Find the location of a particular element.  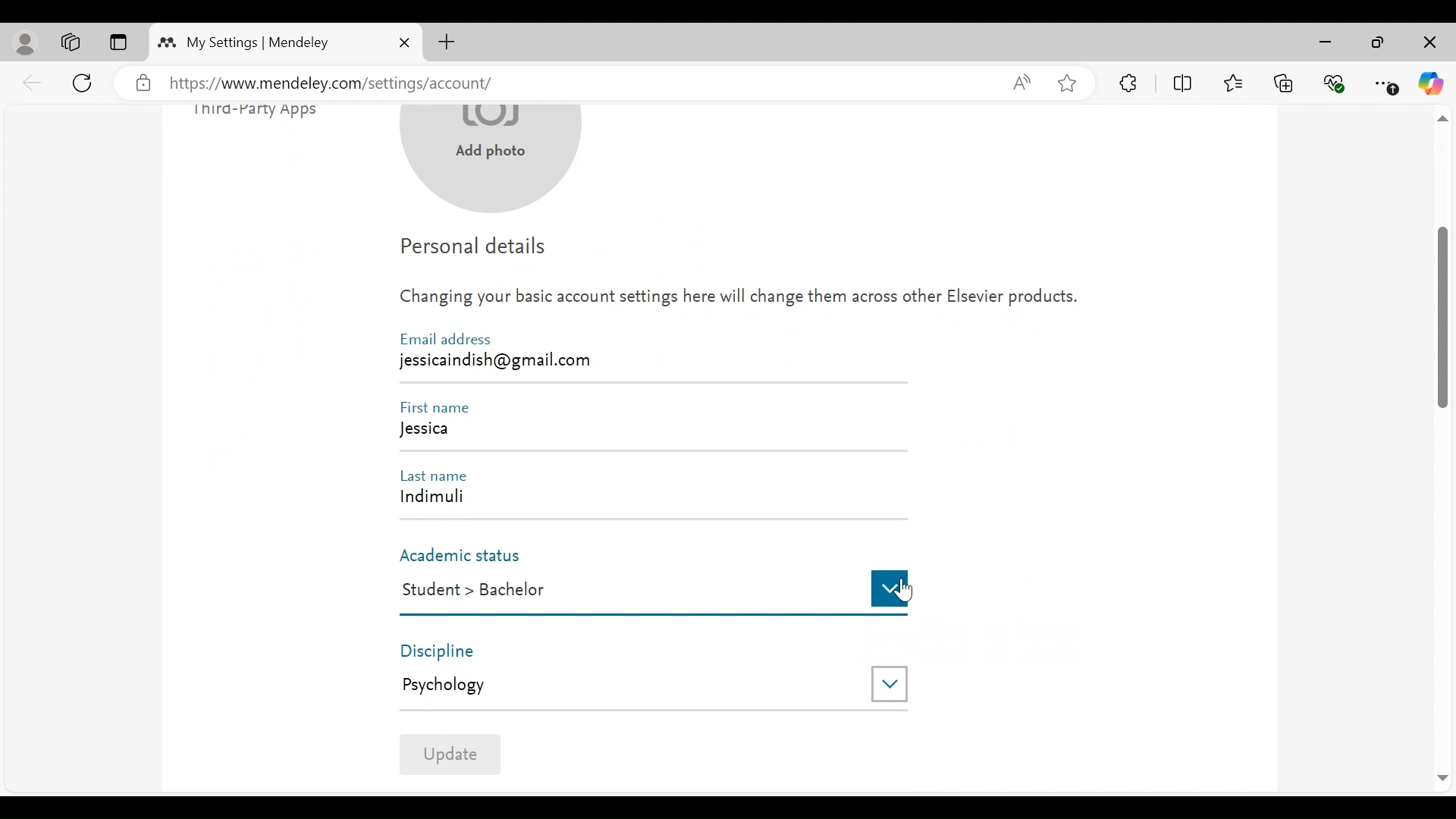

minimize is located at coordinates (1329, 42).